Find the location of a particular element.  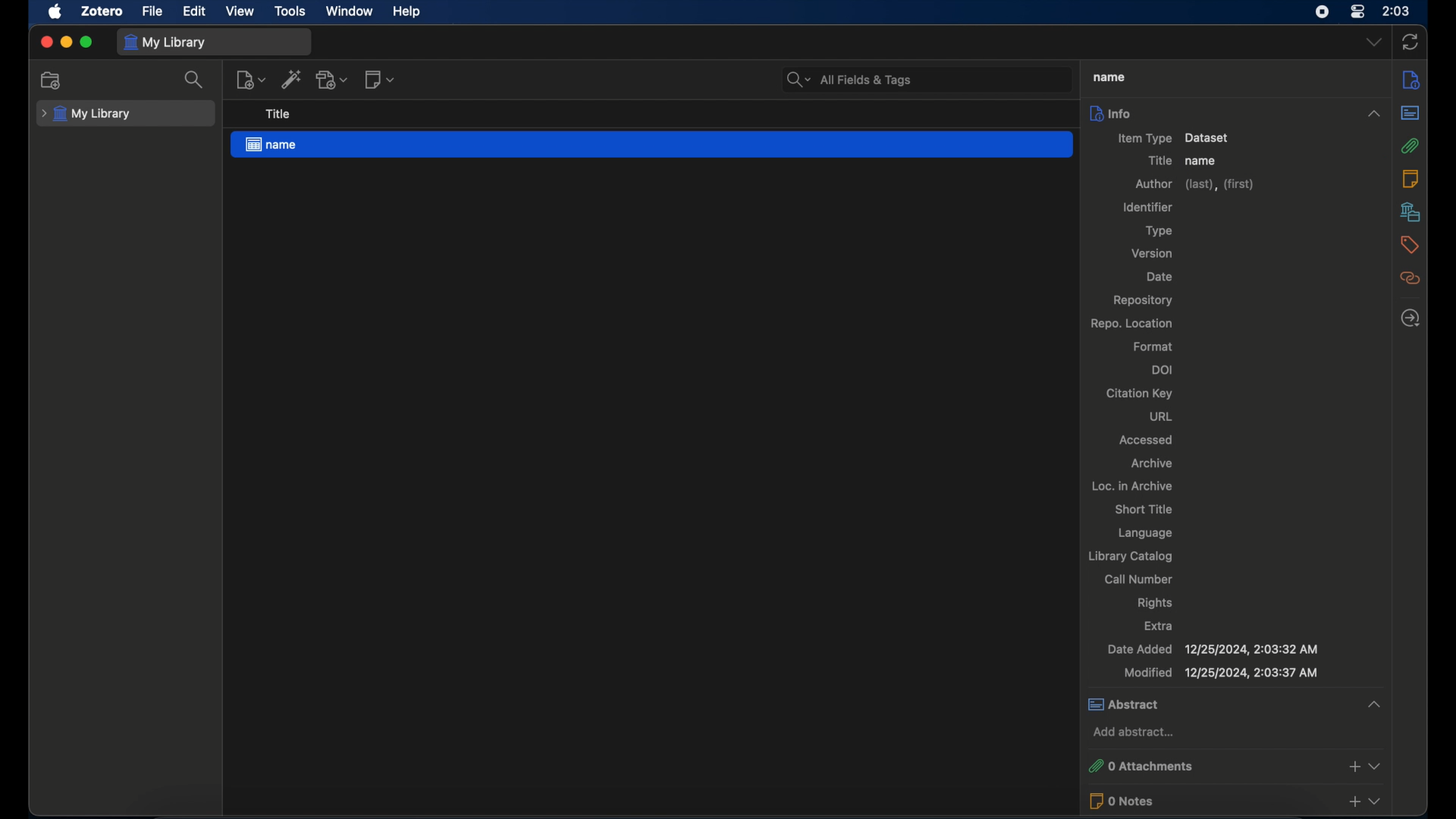

info is located at coordinates (1235, 113).